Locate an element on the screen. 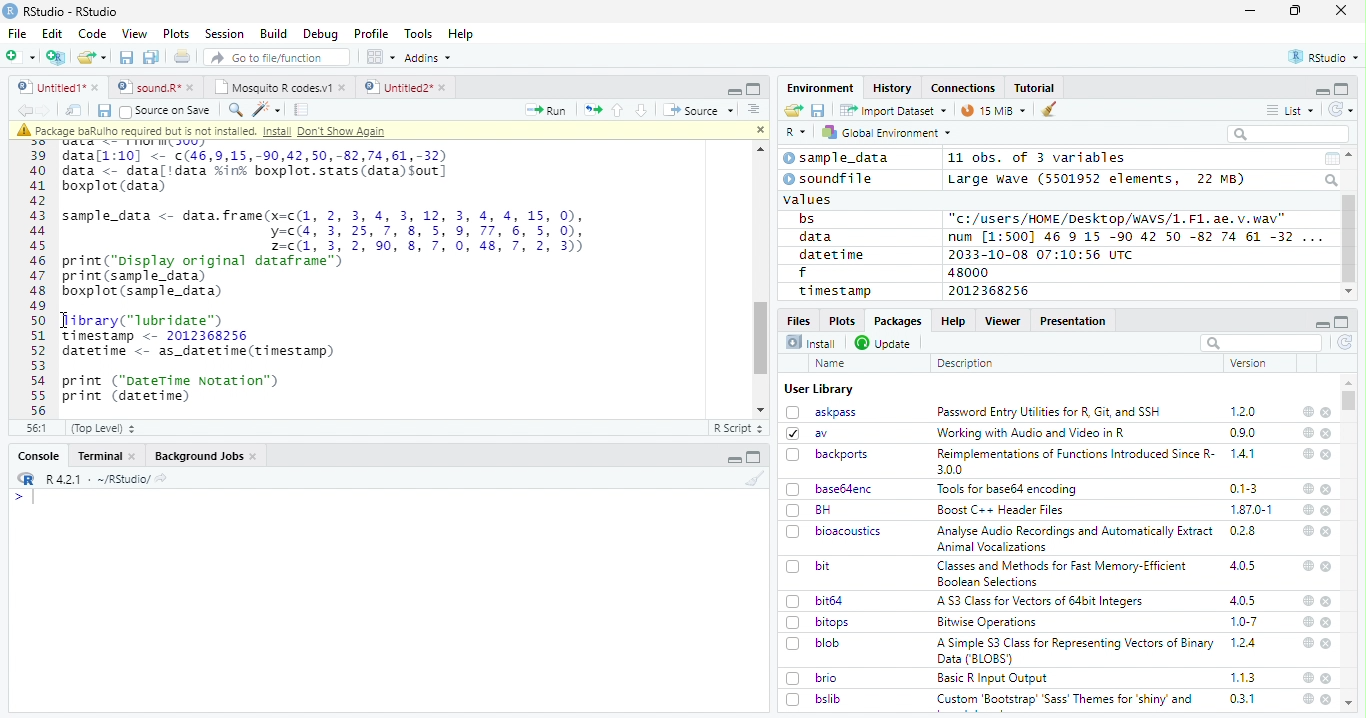 This screenshot has height=718, width=1366. Tools is located at coordinates (417, 34).